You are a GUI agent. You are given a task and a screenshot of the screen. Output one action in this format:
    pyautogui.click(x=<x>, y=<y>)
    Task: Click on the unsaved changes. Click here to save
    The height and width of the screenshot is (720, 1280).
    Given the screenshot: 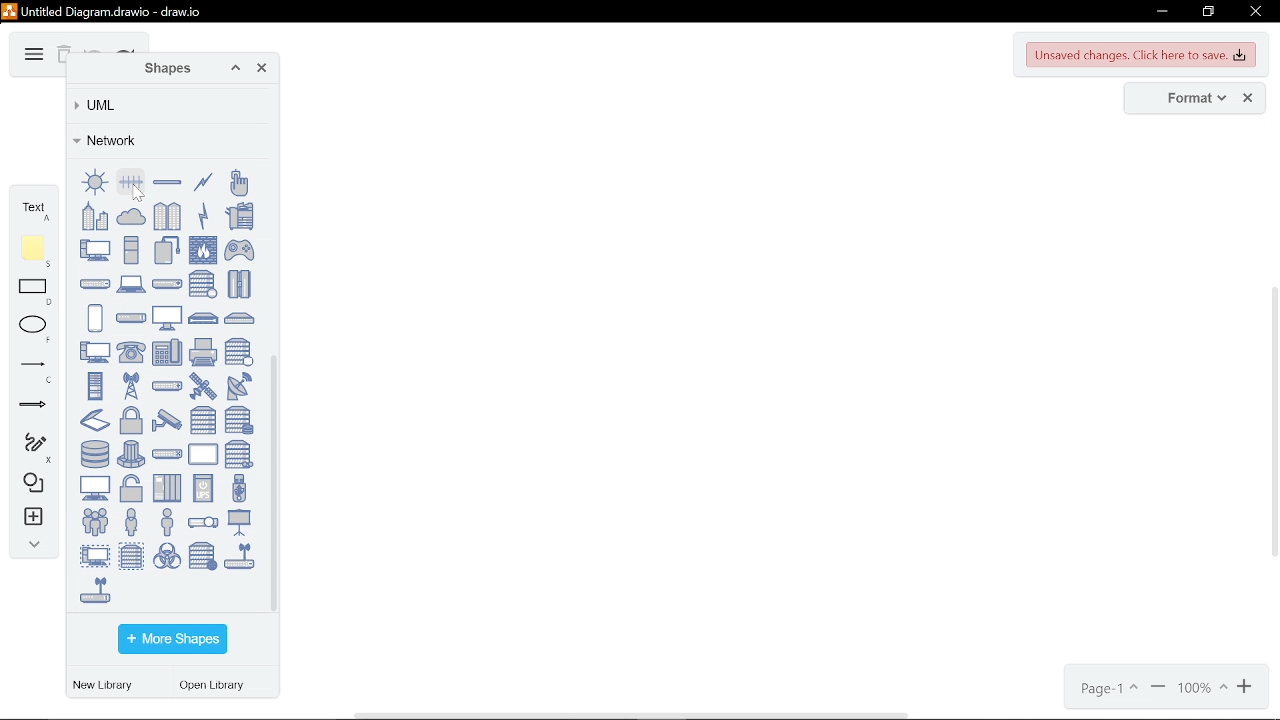 What is the action you would take?
    pyautogui.click(x=1142, y=55)
    